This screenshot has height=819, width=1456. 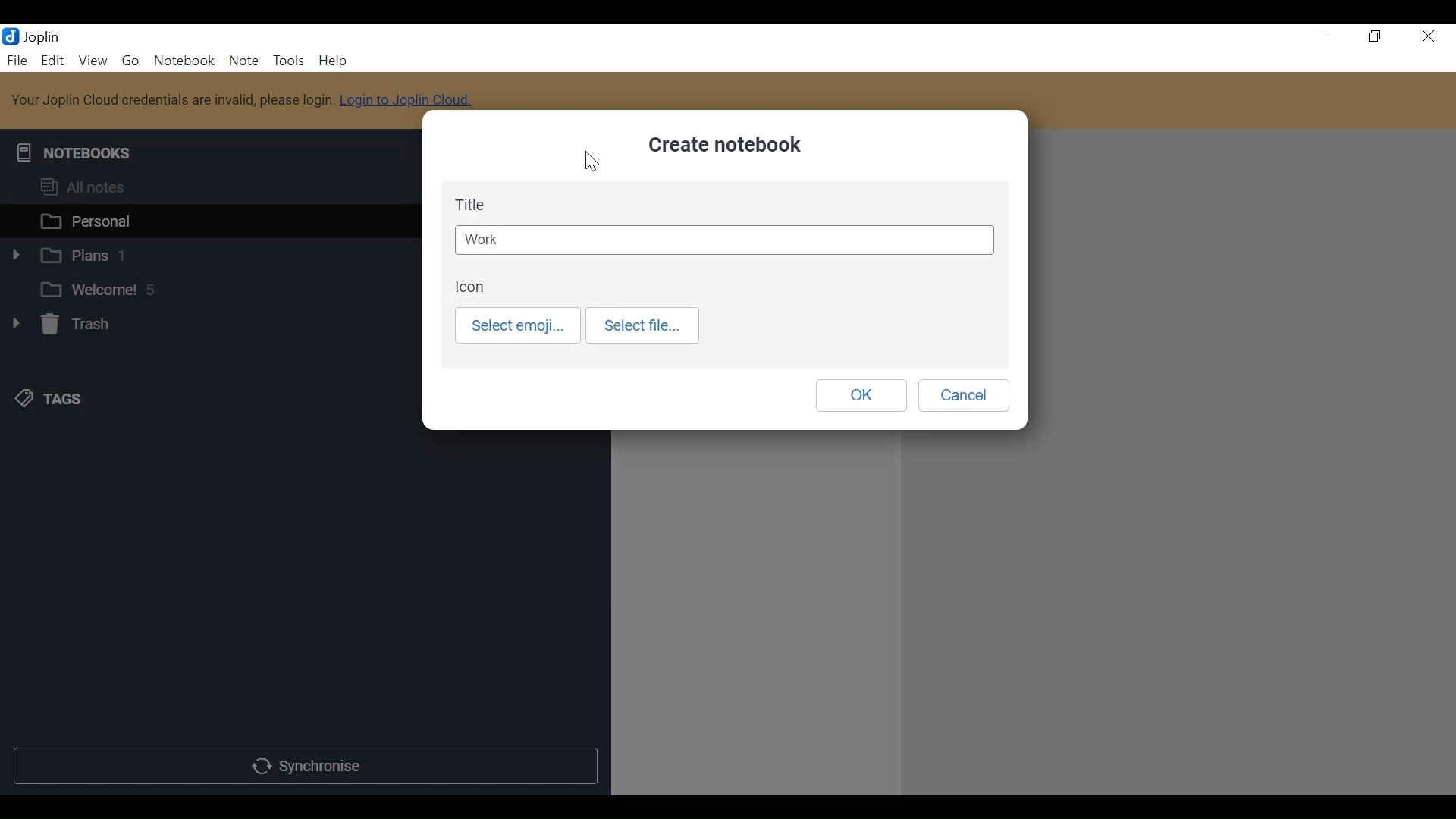 What do you see at coordinates (46, 398) in the screenshot?
I see `Tags` at bounding box center [46, 398].